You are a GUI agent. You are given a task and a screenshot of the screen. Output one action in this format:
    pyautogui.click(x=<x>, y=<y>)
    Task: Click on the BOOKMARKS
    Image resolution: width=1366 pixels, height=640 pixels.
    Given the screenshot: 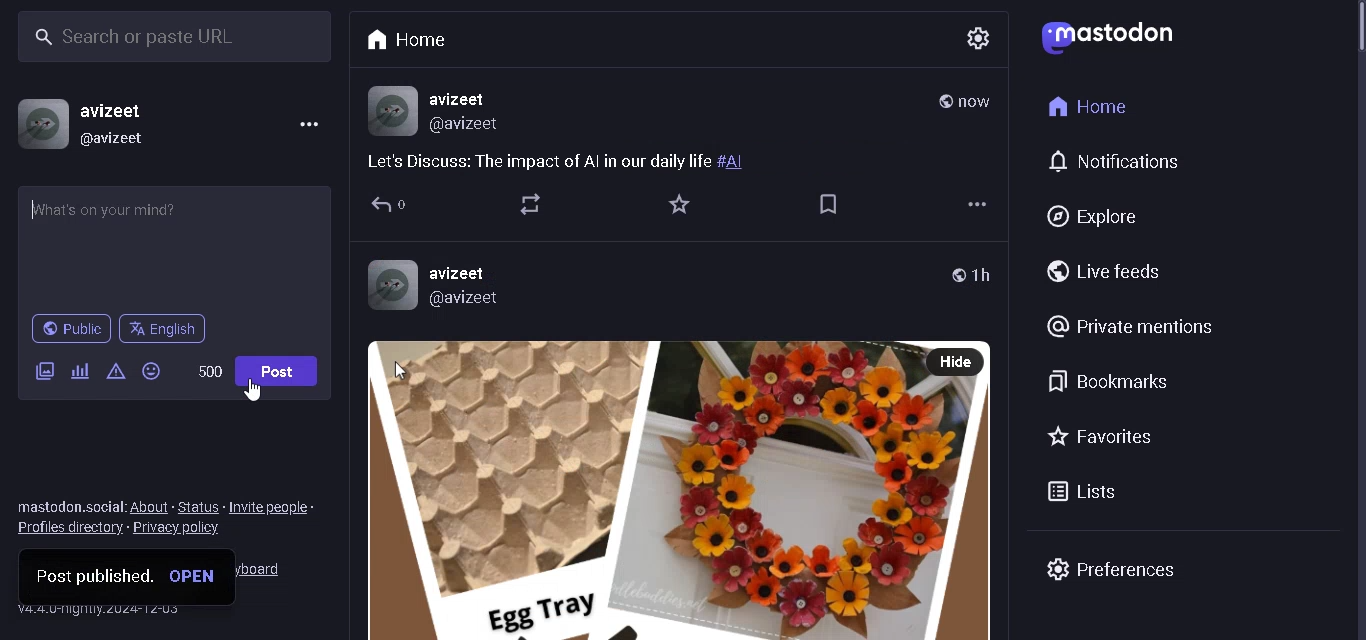 What is the action you would take?
    pyautogui.click(x=1112, y=379)
    